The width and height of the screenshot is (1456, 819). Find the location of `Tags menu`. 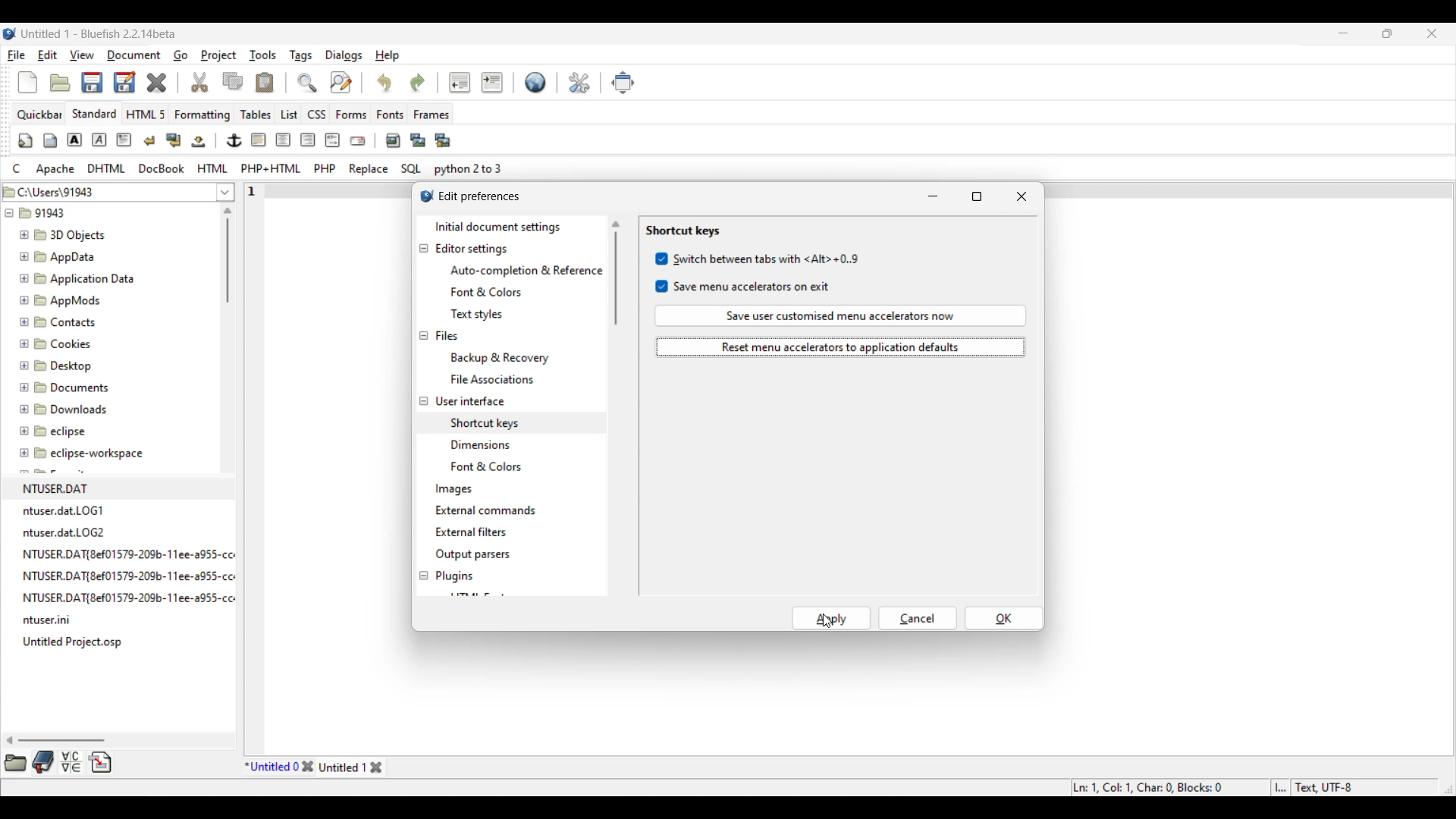

Tags menu is located at coordinates (300, 56).